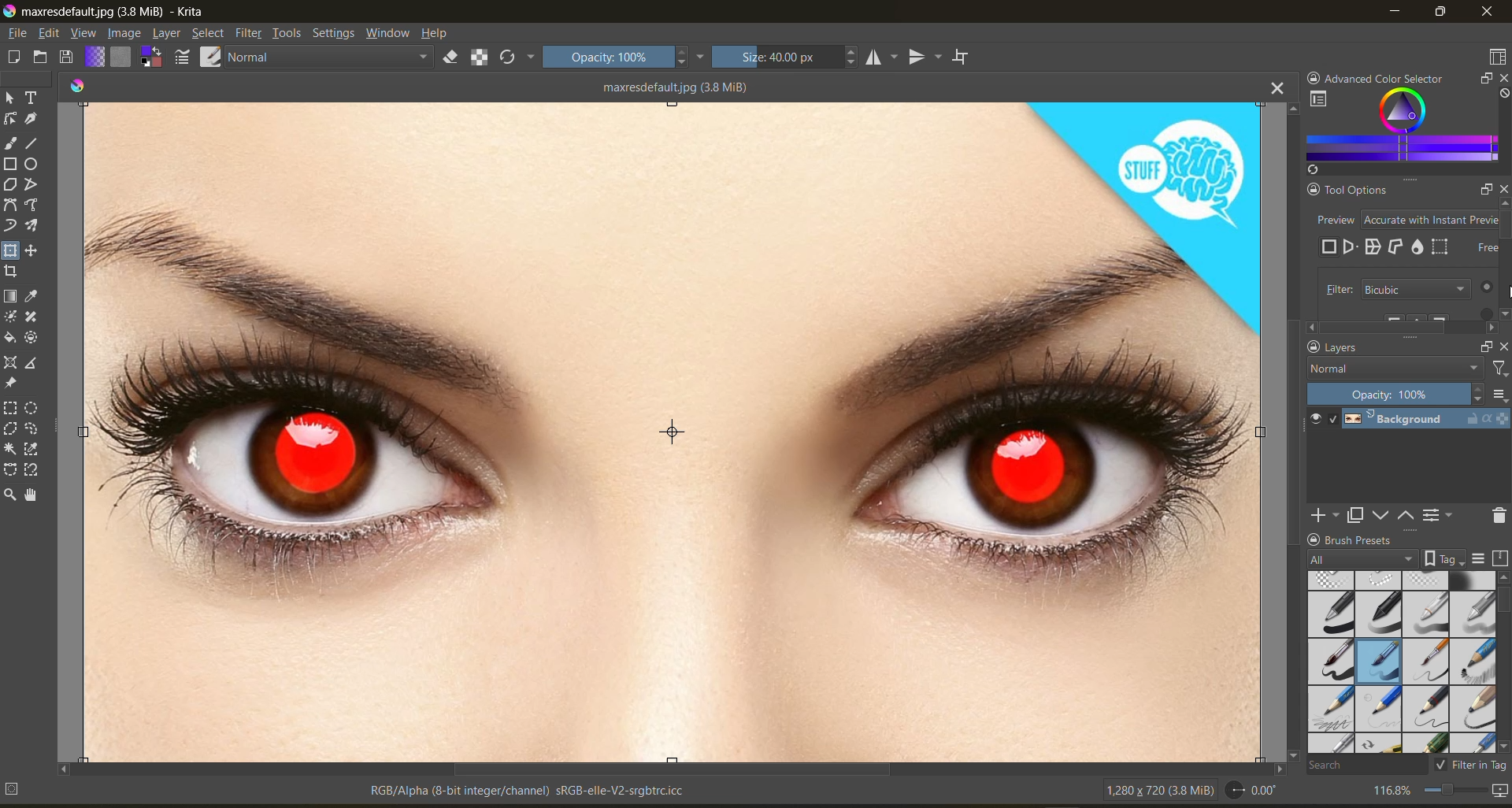 This screenshot has width=1512, height=808. What do you see at coordinates (1390, 75) in the screenshot?
I see `Advanced color selector` at bounding box center [1390, 75].